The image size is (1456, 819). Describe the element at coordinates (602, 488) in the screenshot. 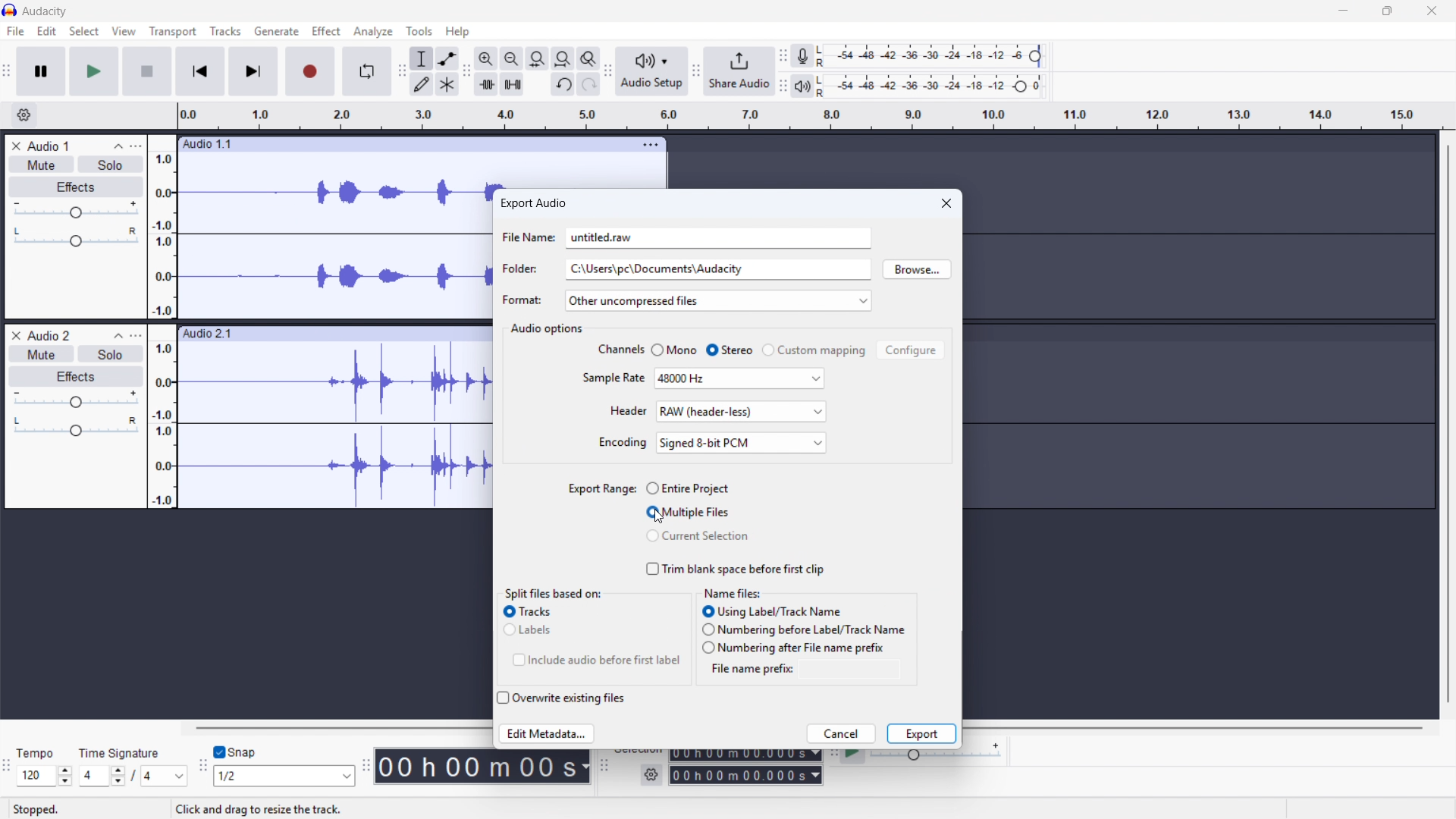

I see `export range` at that location.